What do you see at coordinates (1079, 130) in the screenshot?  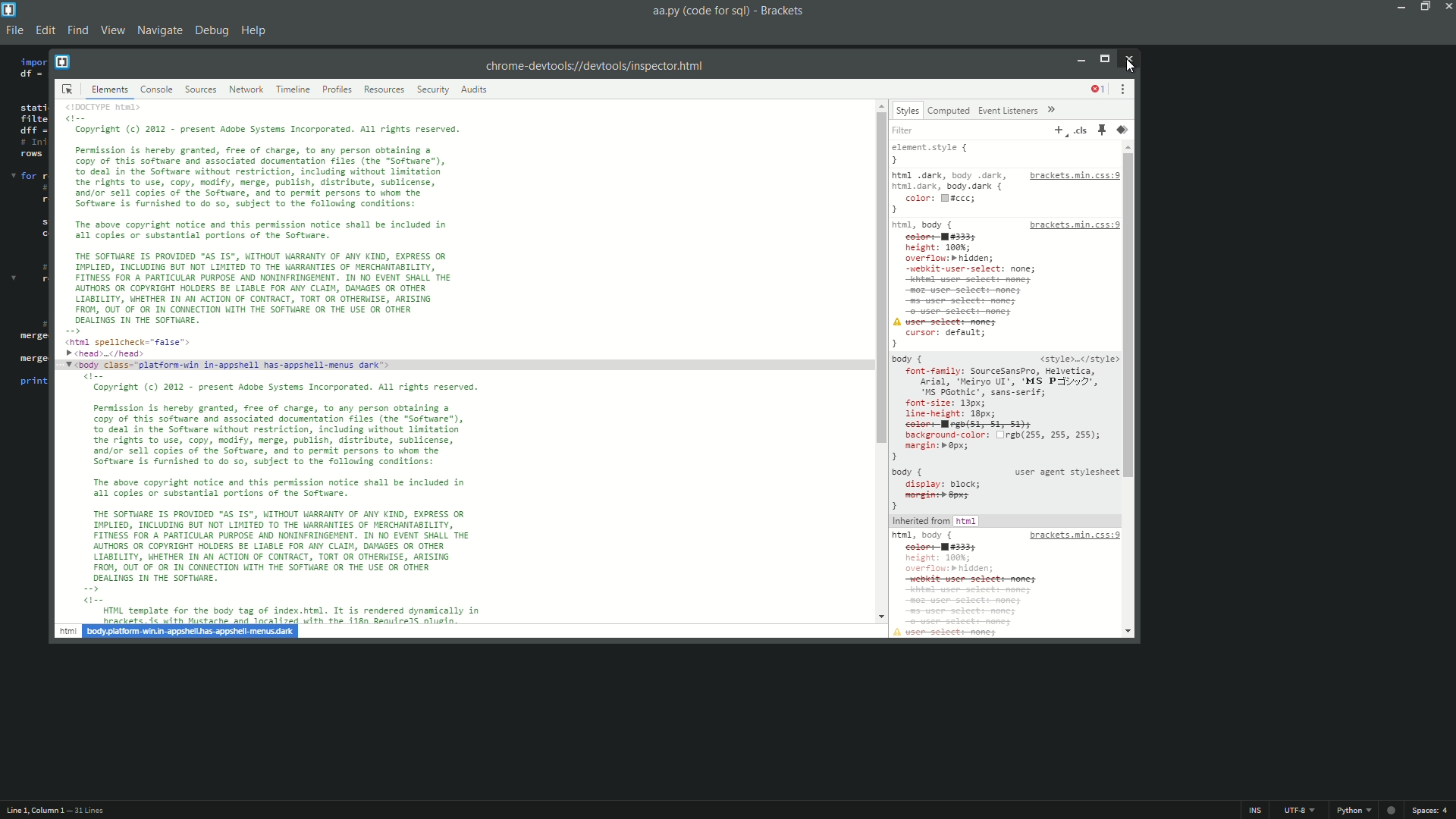 I see `element classes` at bounding box center [1079, 130].